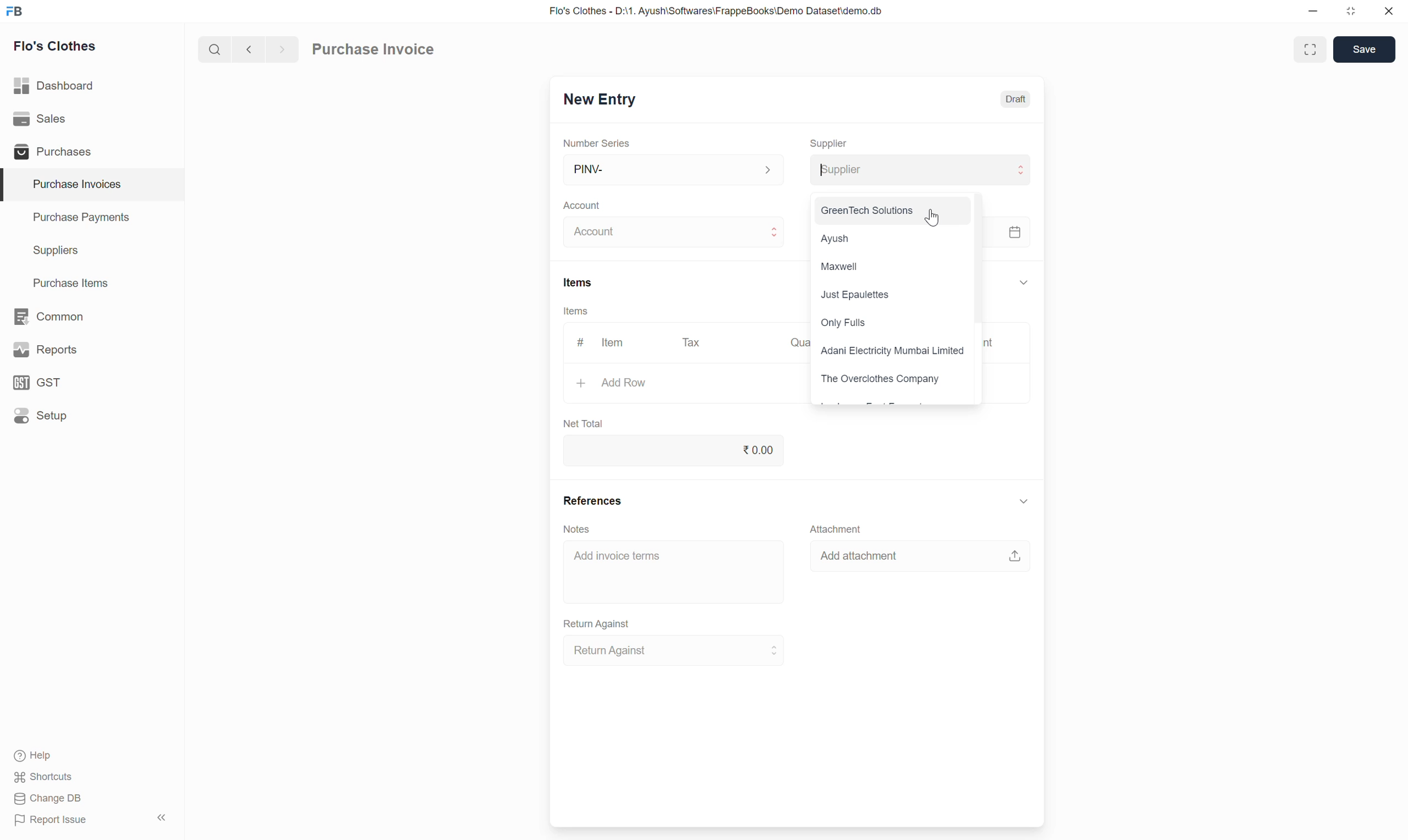  What do you see at coordinates (893, 322) in the screenshot?
I see `Only Fulls` at bounding box center [893, 322].